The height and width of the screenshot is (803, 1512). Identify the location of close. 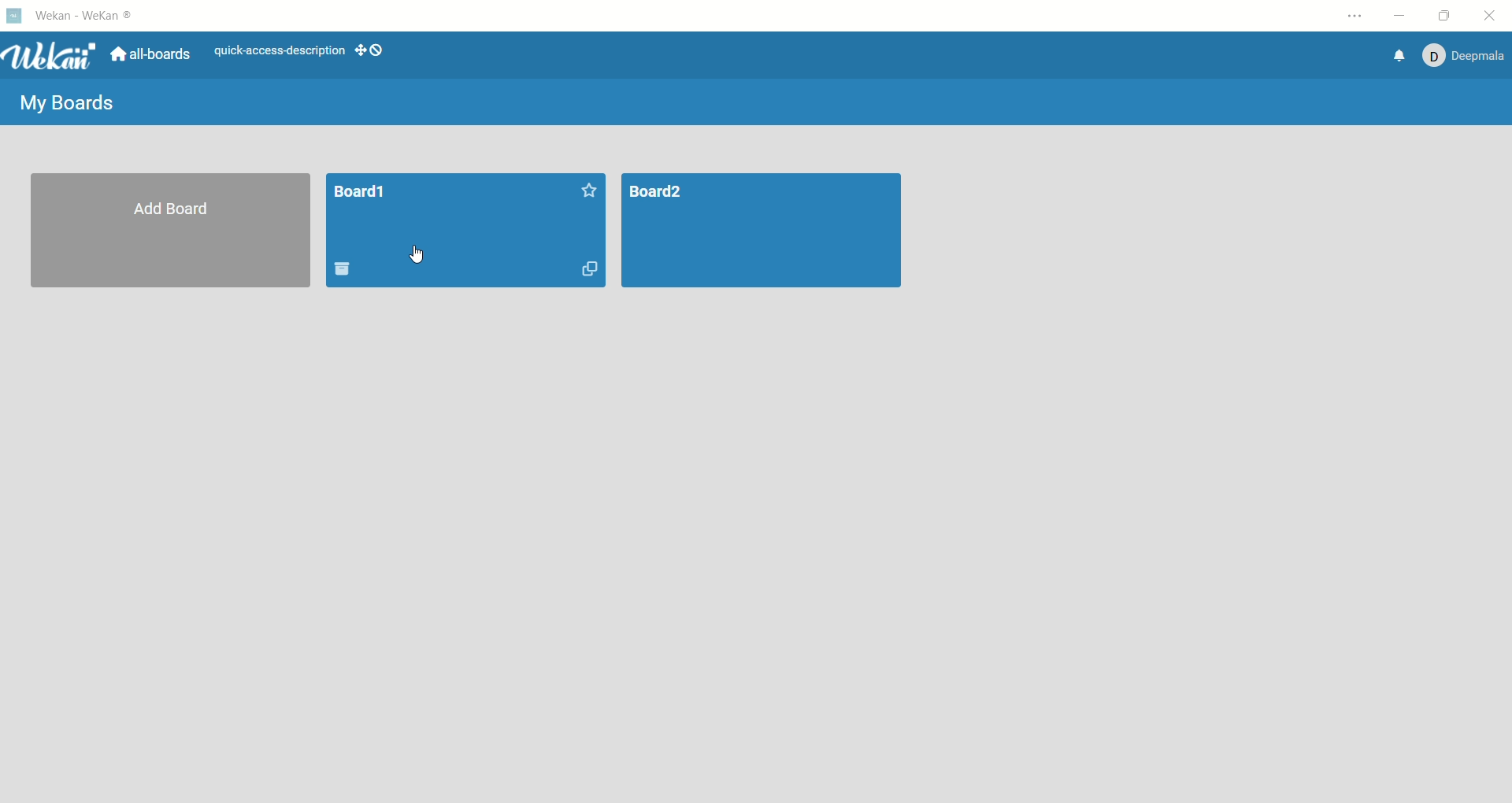
(1496, 15).